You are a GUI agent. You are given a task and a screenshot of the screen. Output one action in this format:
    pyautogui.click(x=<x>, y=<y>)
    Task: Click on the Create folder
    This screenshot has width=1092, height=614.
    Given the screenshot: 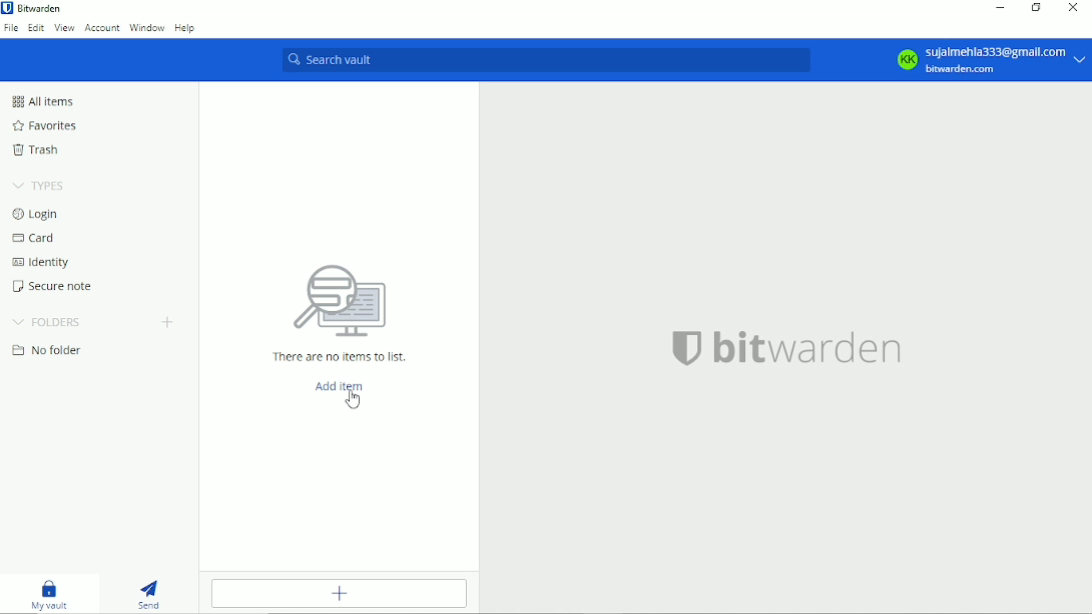 What is the action you would take?
    pyautogui.click(x=167, y=321)
    